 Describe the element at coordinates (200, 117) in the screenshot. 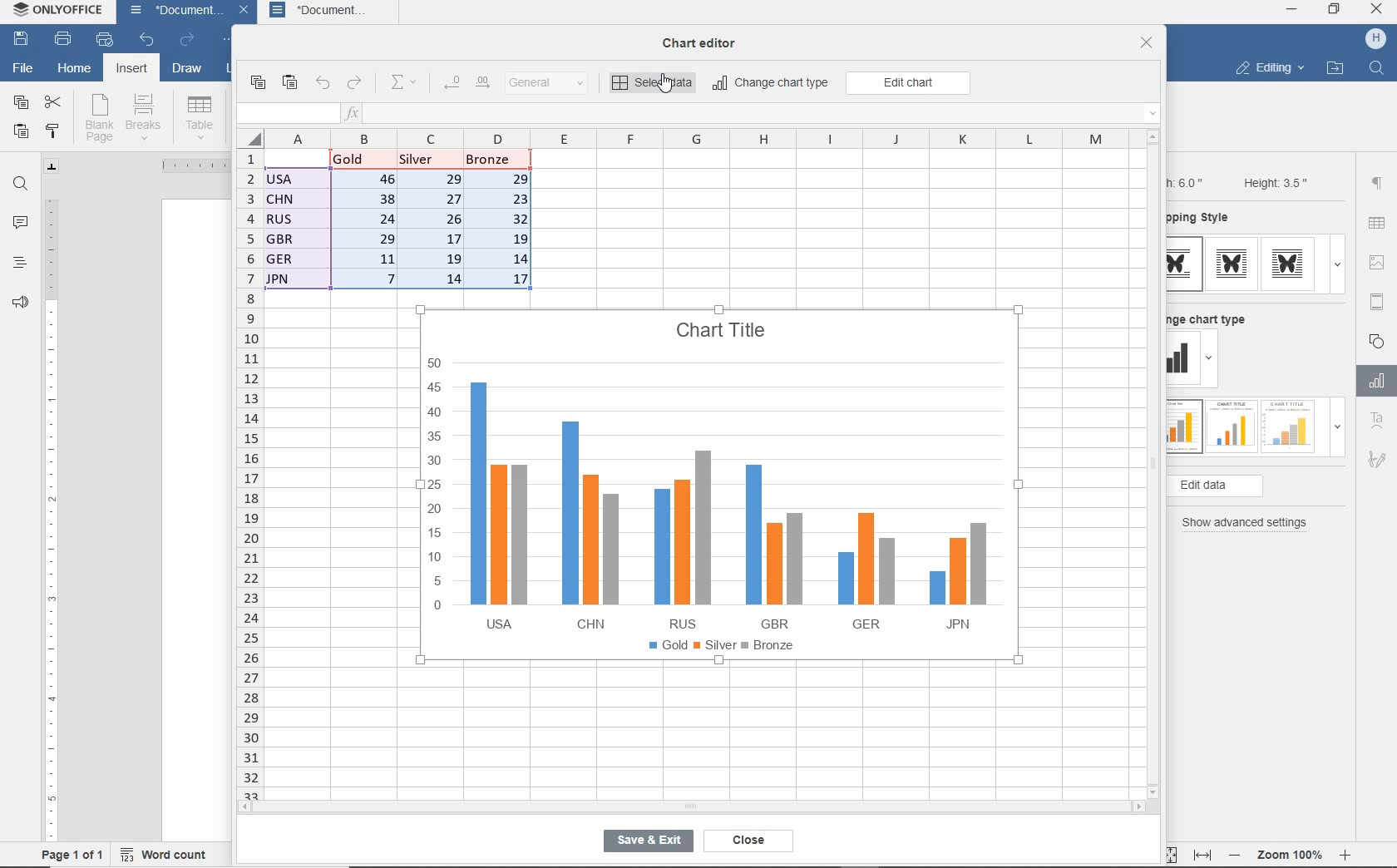

I see `table` at that location.